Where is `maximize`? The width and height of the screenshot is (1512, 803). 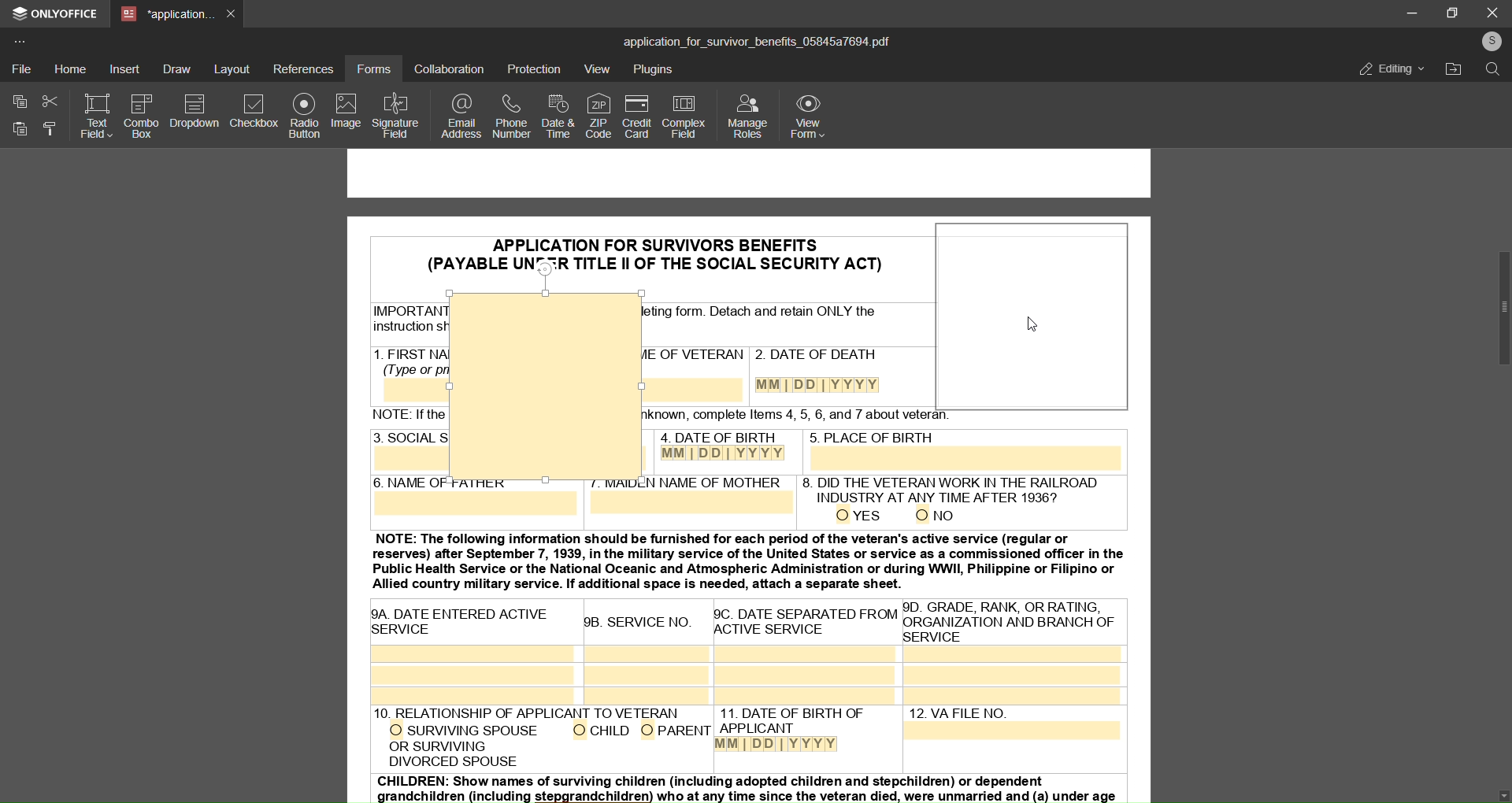
maximize is located at coordinates (1455, 12).